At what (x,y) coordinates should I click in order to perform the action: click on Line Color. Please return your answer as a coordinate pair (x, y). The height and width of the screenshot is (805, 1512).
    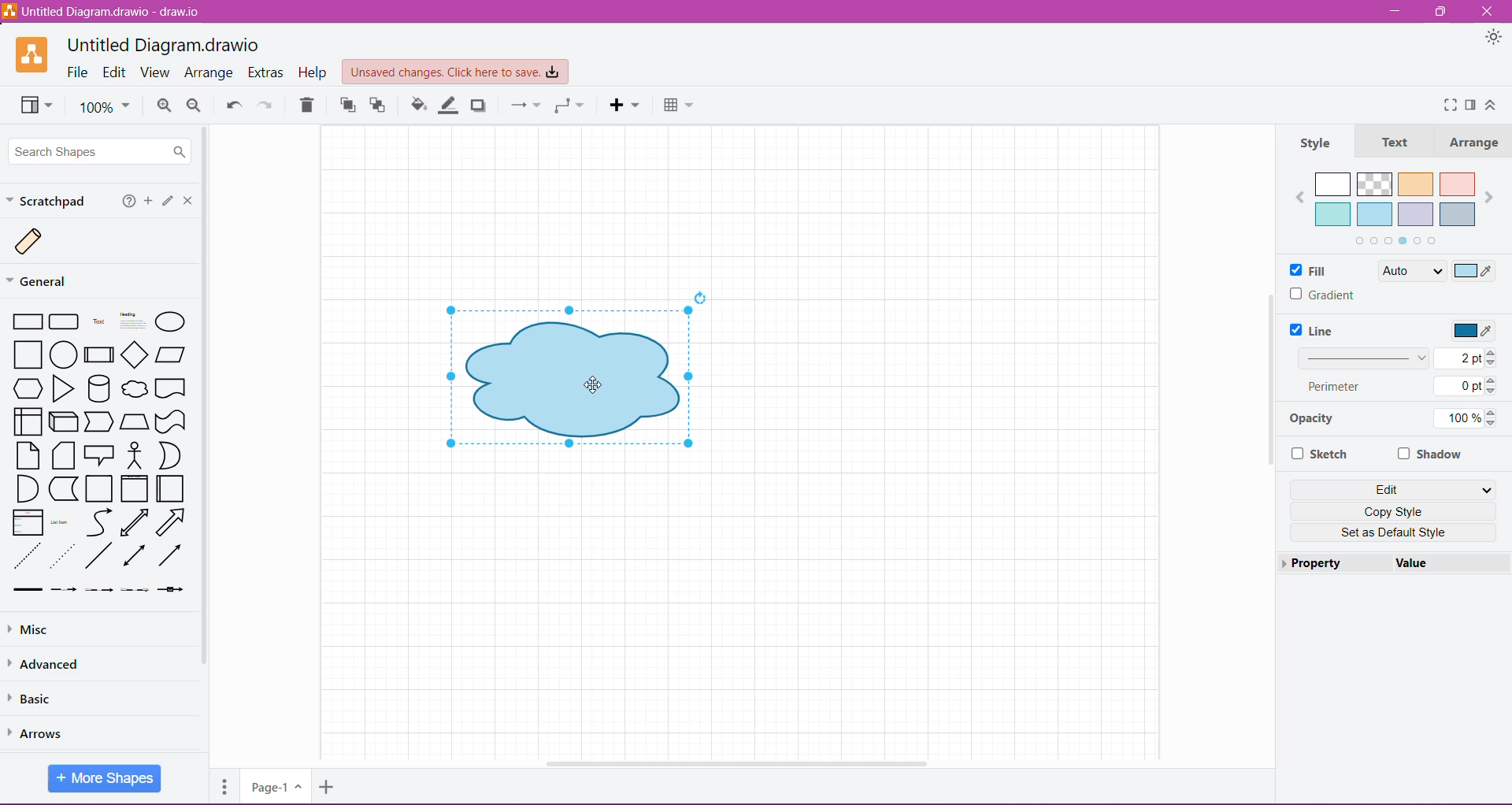
    Looking at the image, I should click on (449, 106).